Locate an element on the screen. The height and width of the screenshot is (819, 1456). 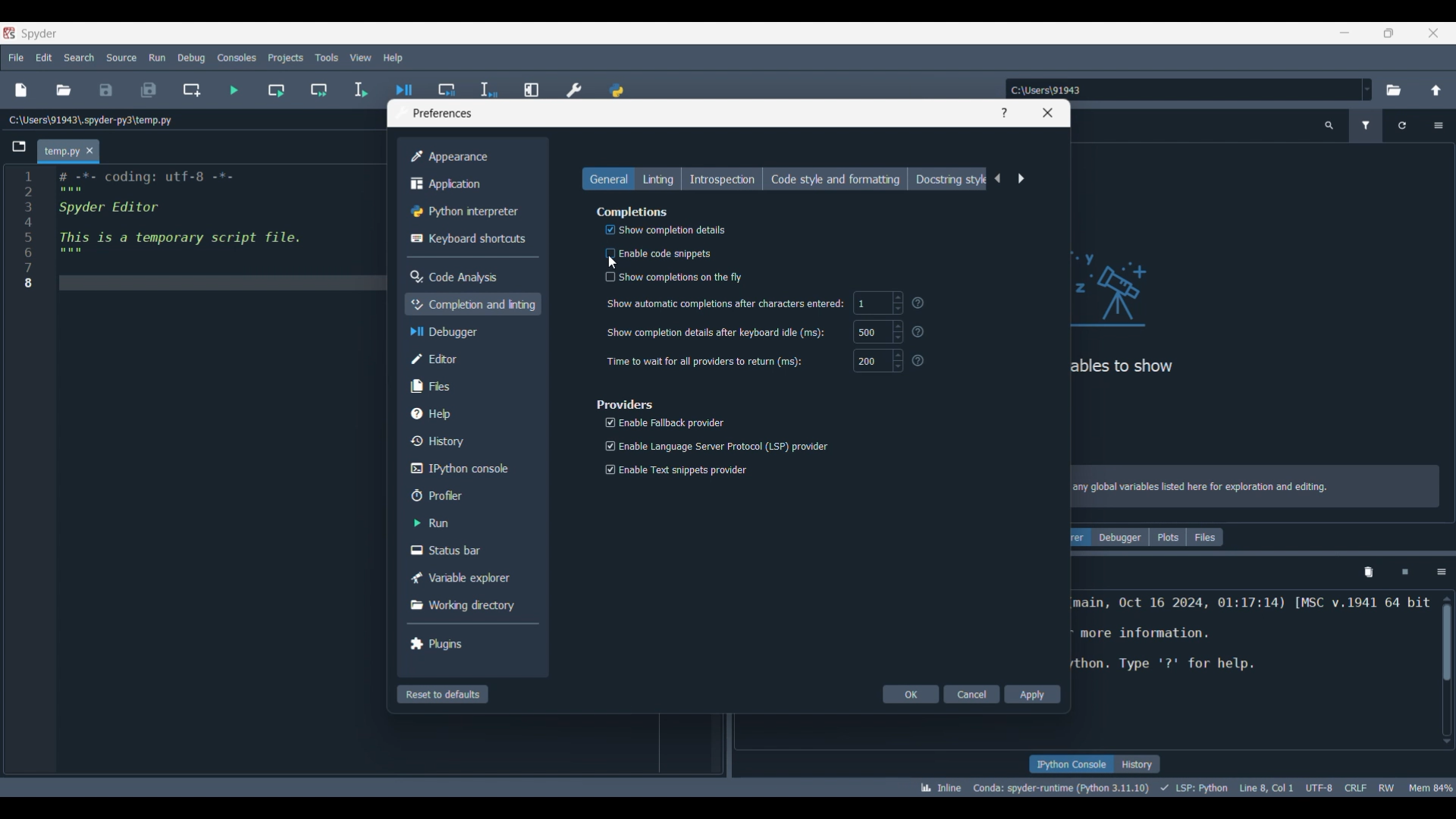
Remove variables from namespace is located at coordinates (1369, 573).